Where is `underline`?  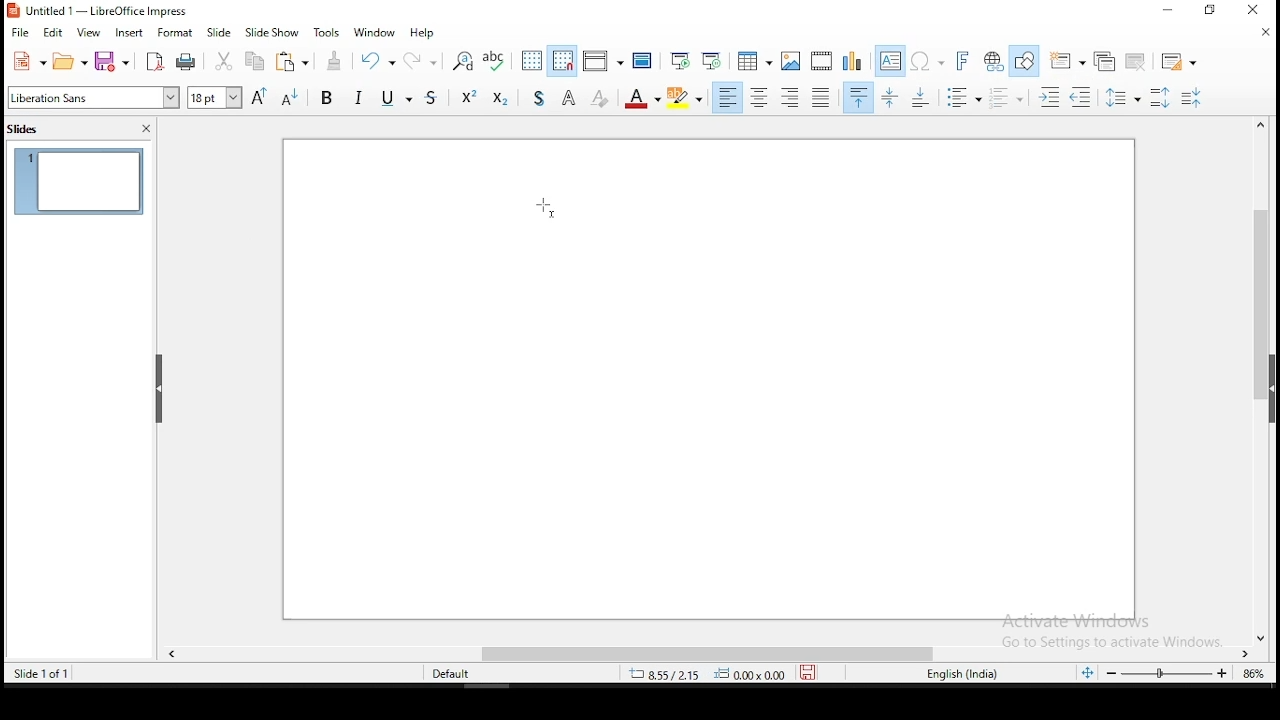 underline is located at coordinates (387, 100).